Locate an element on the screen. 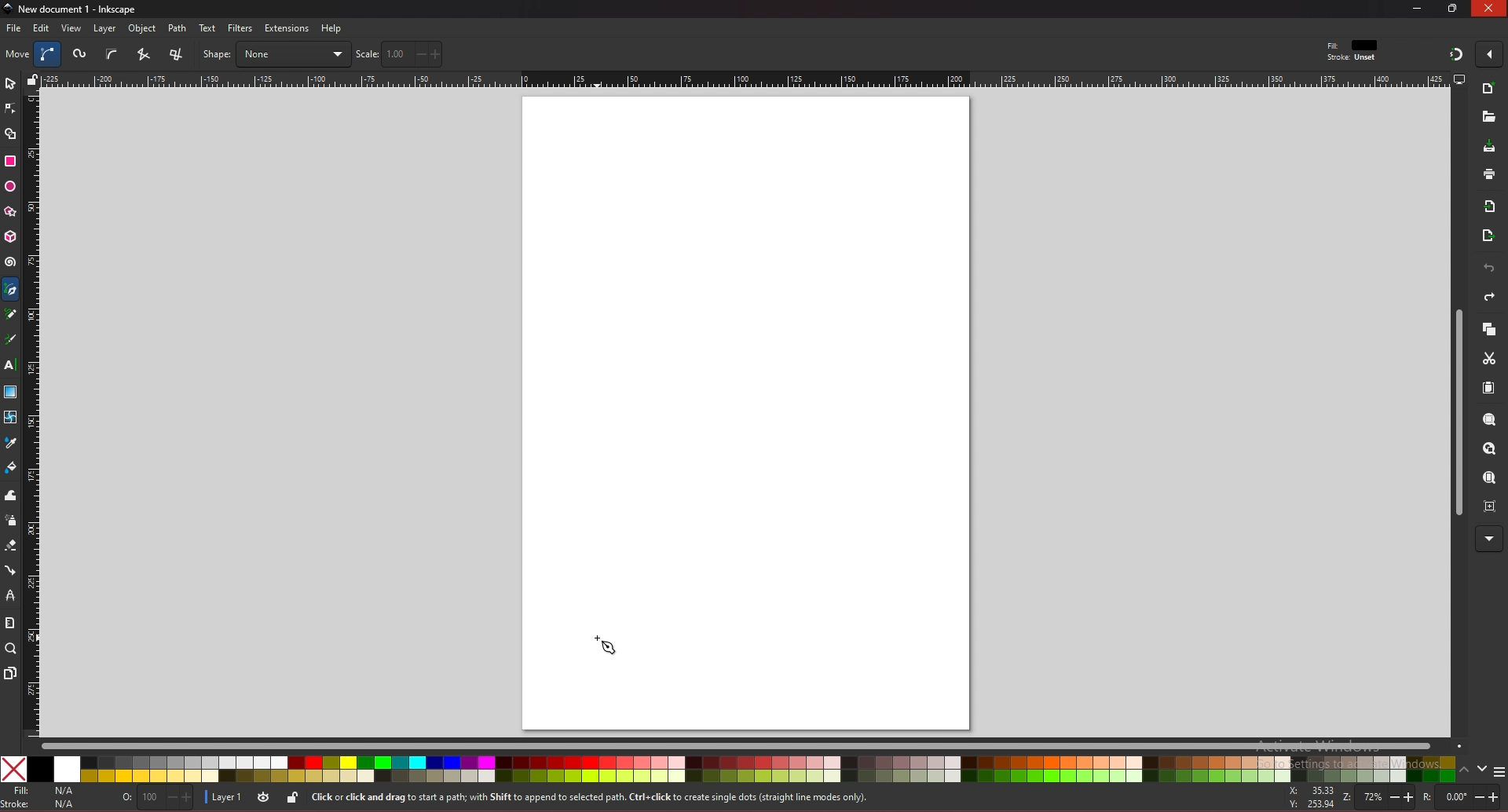 This screenshot has height=812, width=1508. stars and polygons is located at coordinates (11, 212).